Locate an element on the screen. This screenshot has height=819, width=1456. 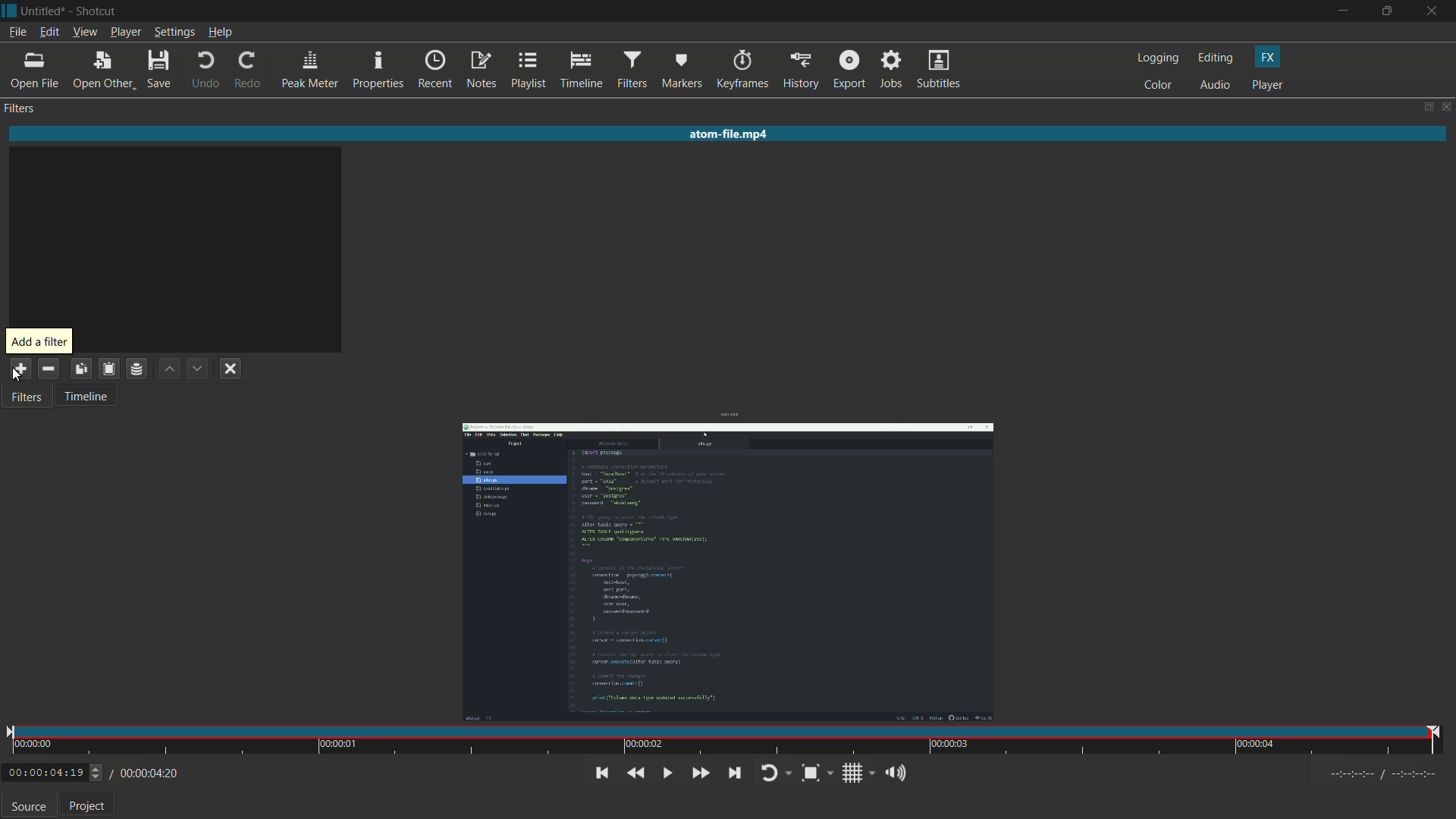
filters is located at coordinates (20, 109).